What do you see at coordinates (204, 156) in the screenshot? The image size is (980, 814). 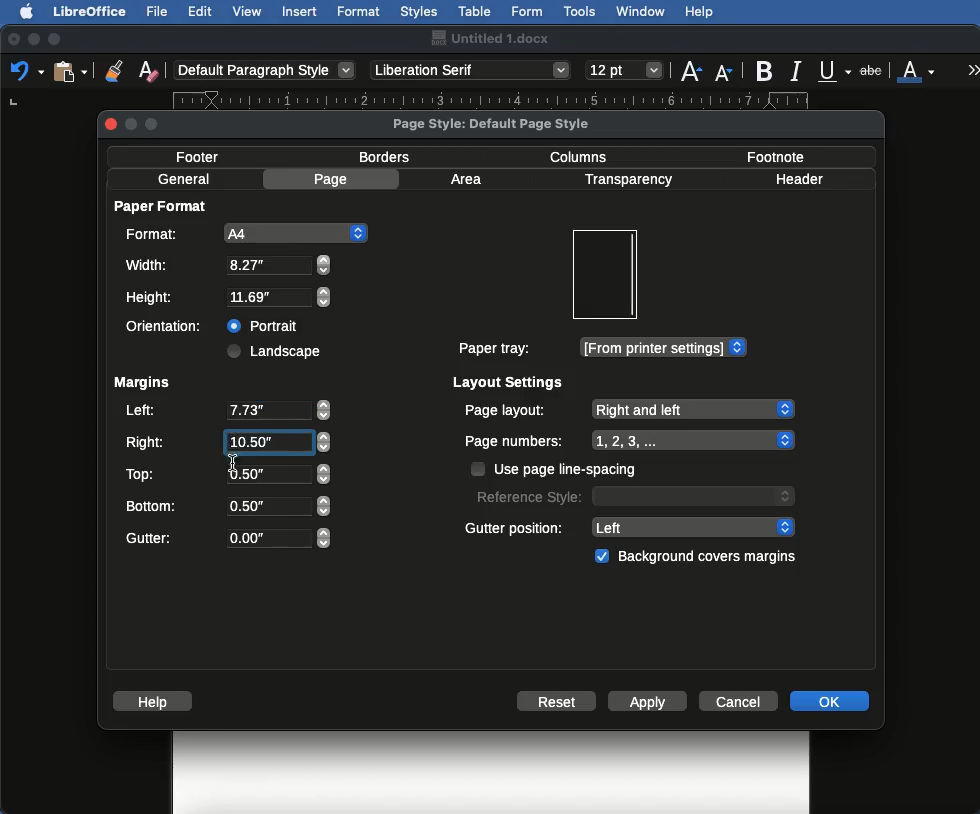 I see `Footer` at bounding box center [204, 156].